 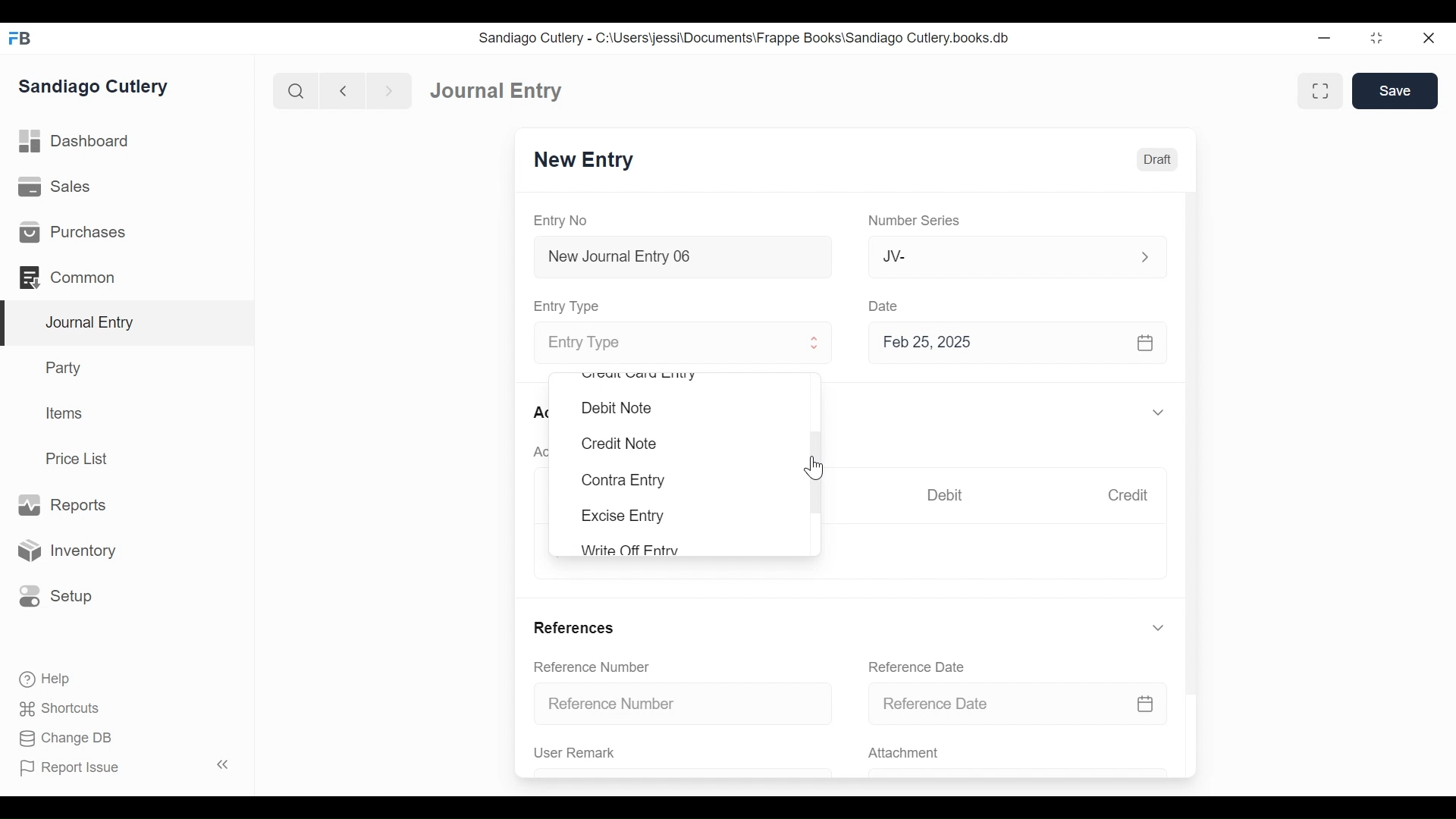 I want to click on Attachment, so click(x=902, y=754).